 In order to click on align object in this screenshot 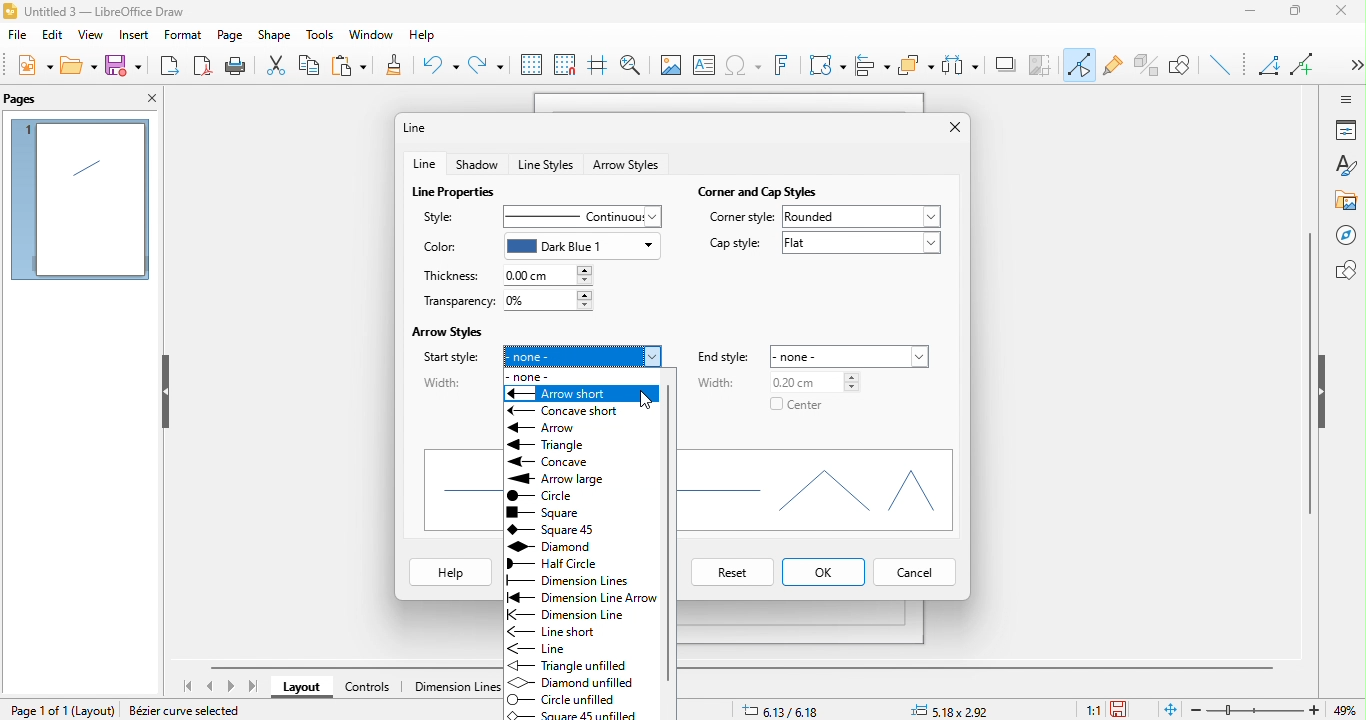, I will do `click(873, 67)`.